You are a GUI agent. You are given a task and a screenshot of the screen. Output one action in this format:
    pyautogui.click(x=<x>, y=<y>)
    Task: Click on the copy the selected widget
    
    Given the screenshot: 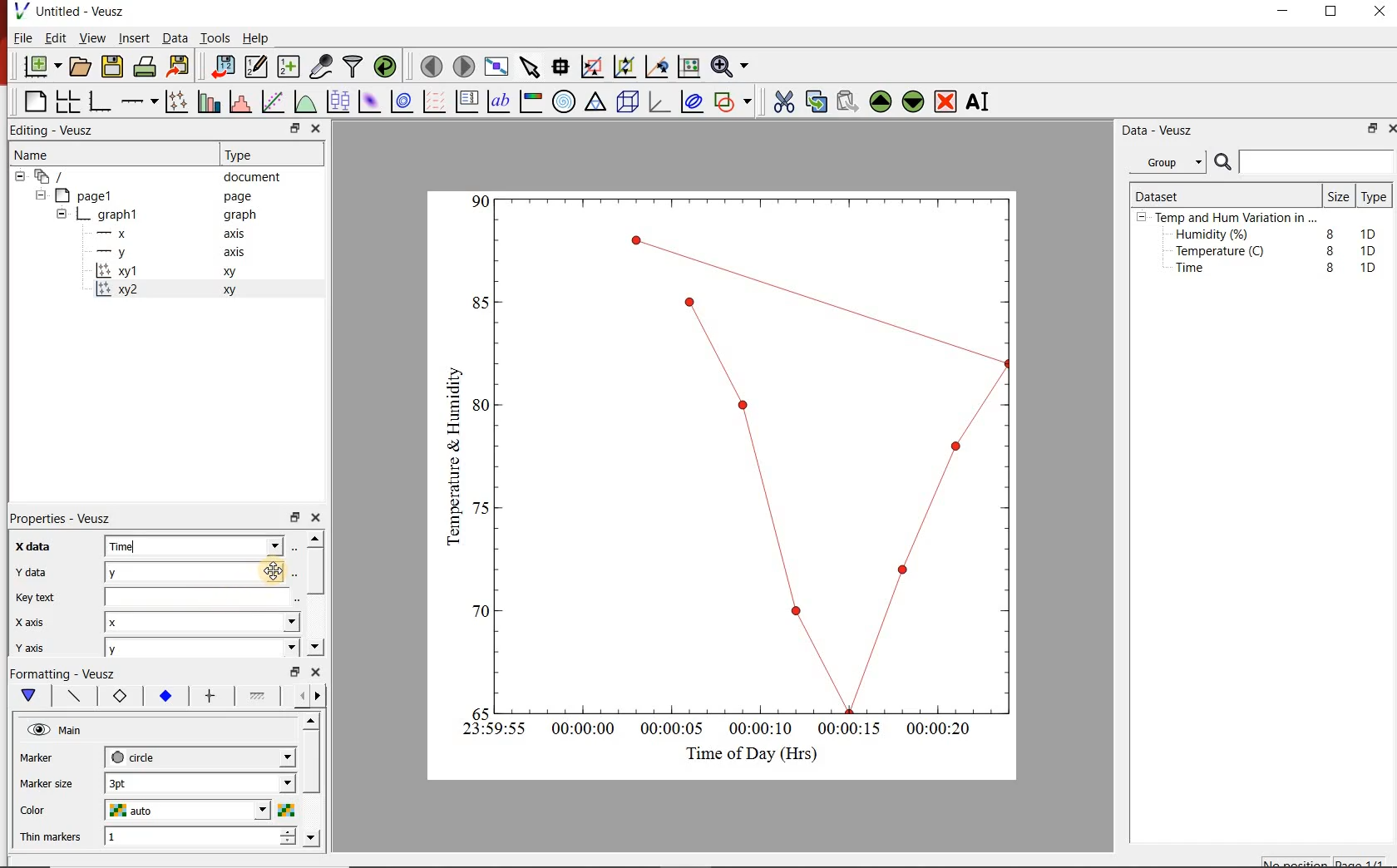 What is the action you would take?
    pyautogui.click(x=816, y=101)
    